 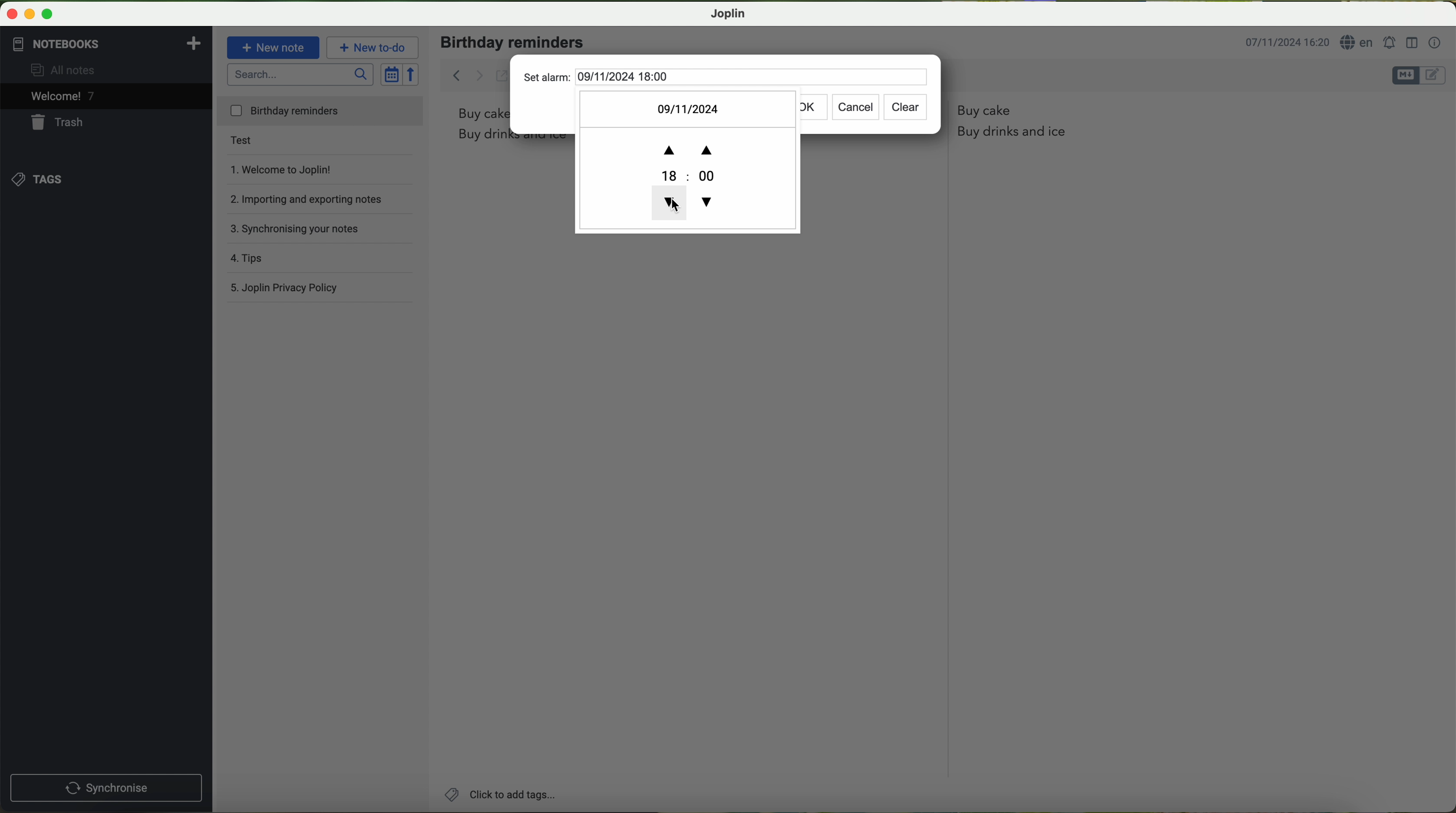 I want to click on birthday reminders, so click(x=515, y=42).